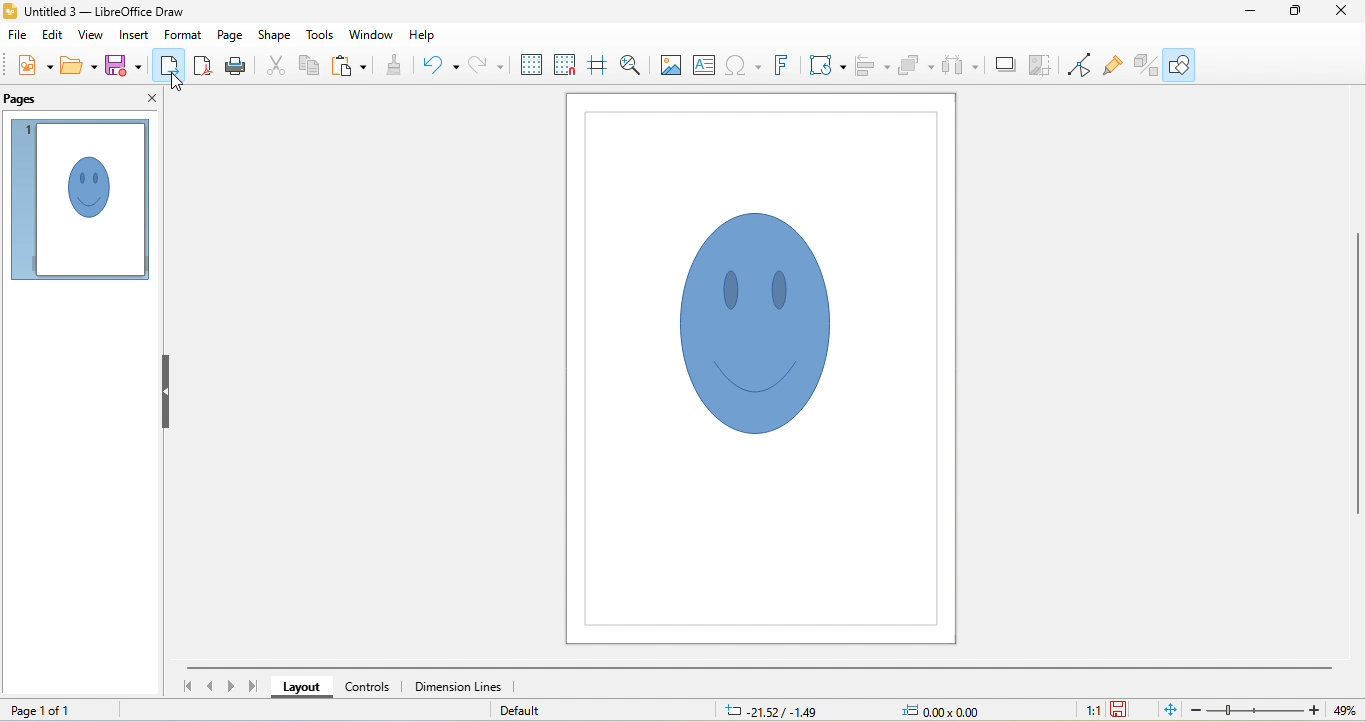  I want to click on image, so click(670, 64).